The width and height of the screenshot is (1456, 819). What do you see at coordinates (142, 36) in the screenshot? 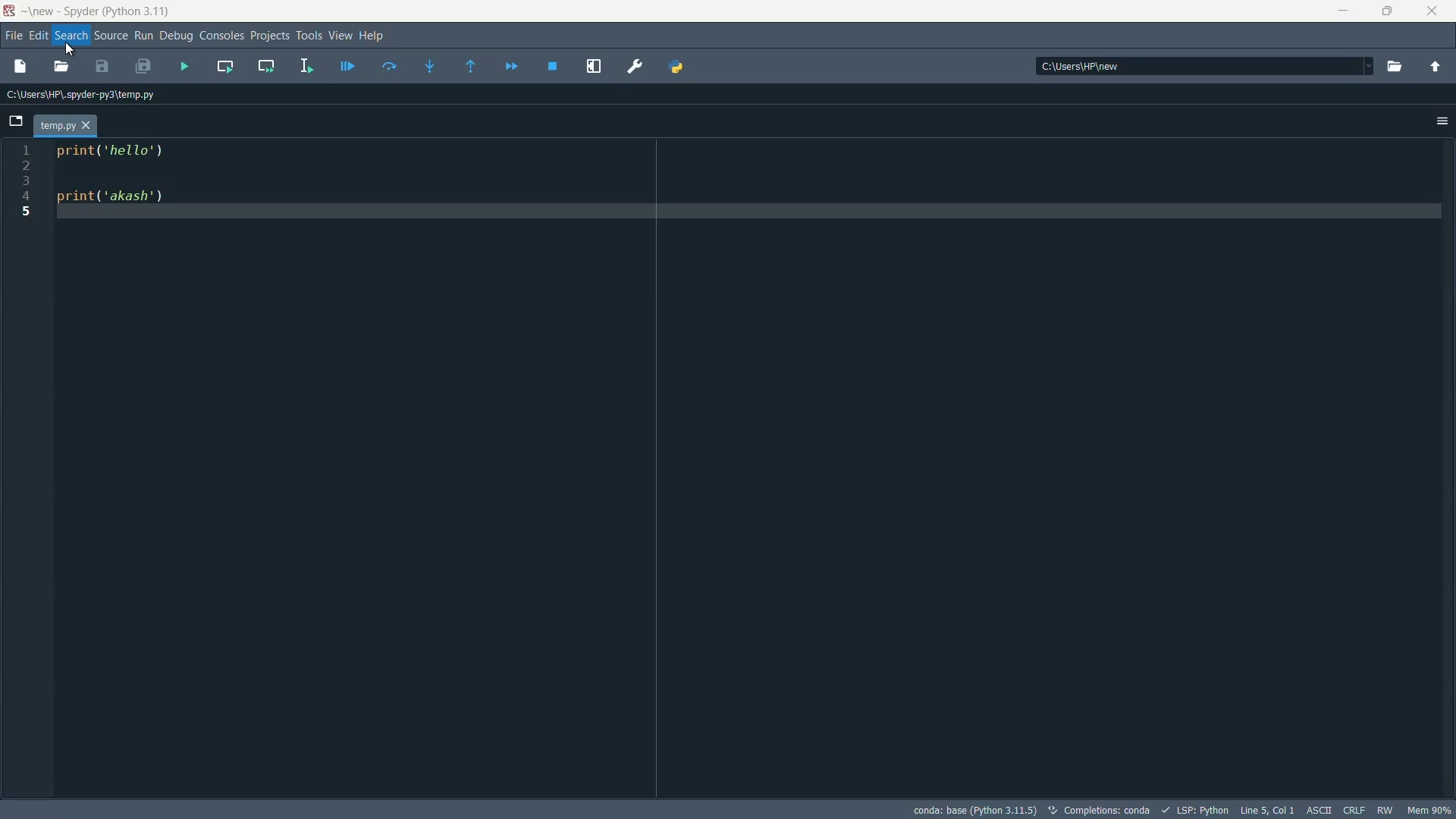
I see `run menu` at bounding box center [142, 36].